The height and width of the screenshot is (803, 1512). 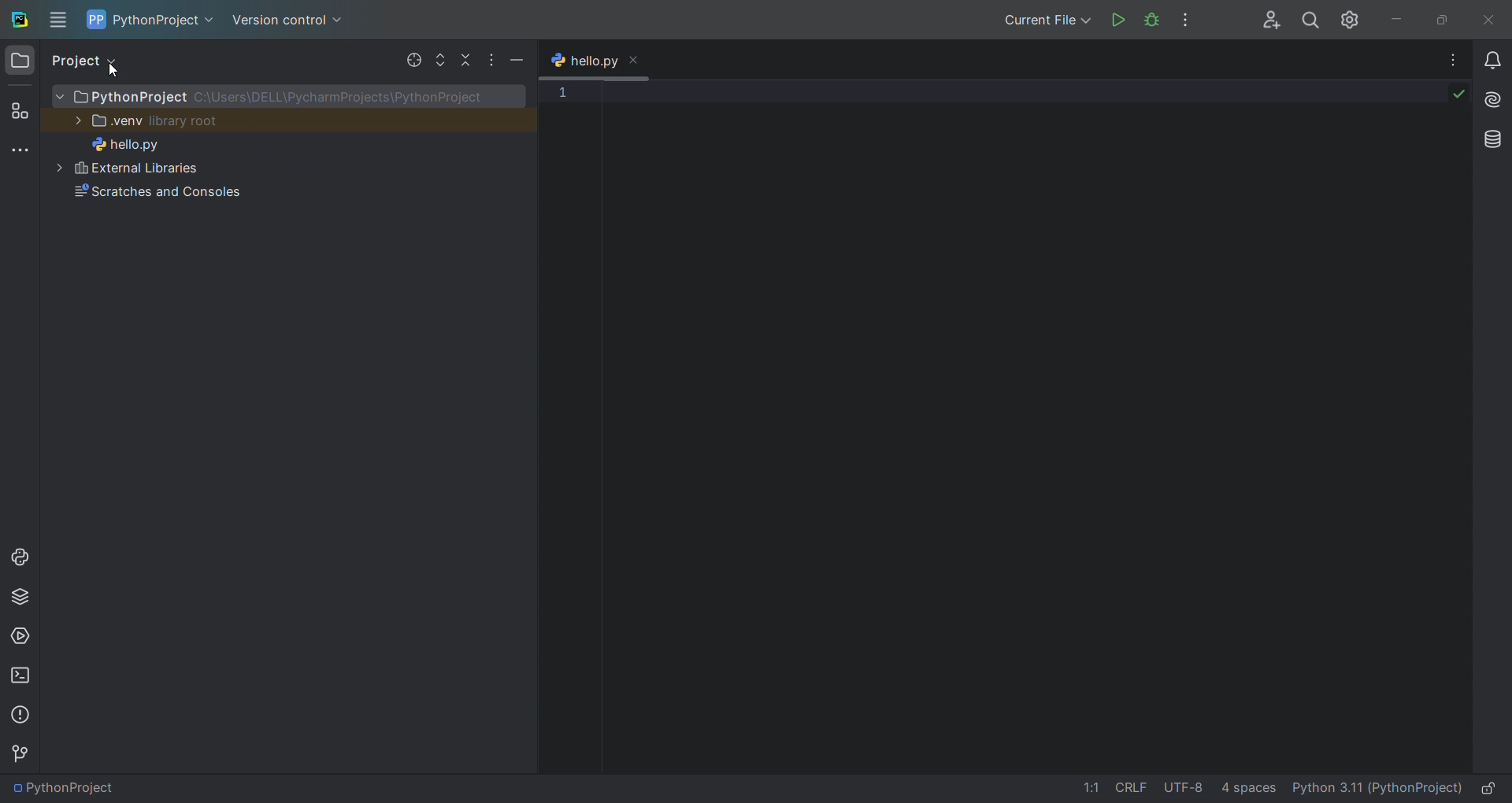 I want to click on terminal, so click(x=20, y=679).